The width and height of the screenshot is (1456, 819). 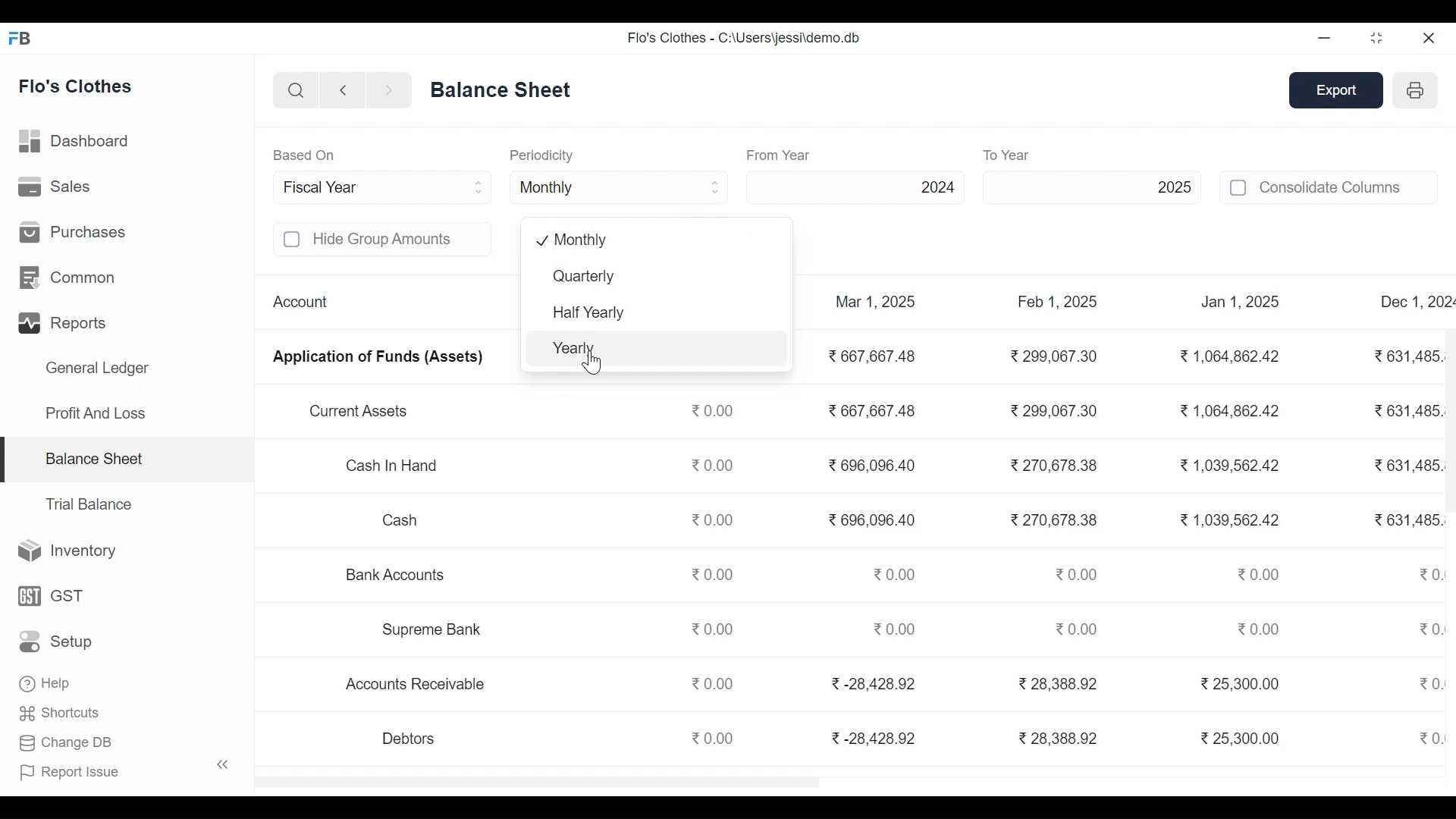 What do you see at coordinates (843, 738) in the screenshot?
I see `Debtors % 0.00 3-28,428.92 328,388.92 25,300.00` at bounding box center [843, 738].